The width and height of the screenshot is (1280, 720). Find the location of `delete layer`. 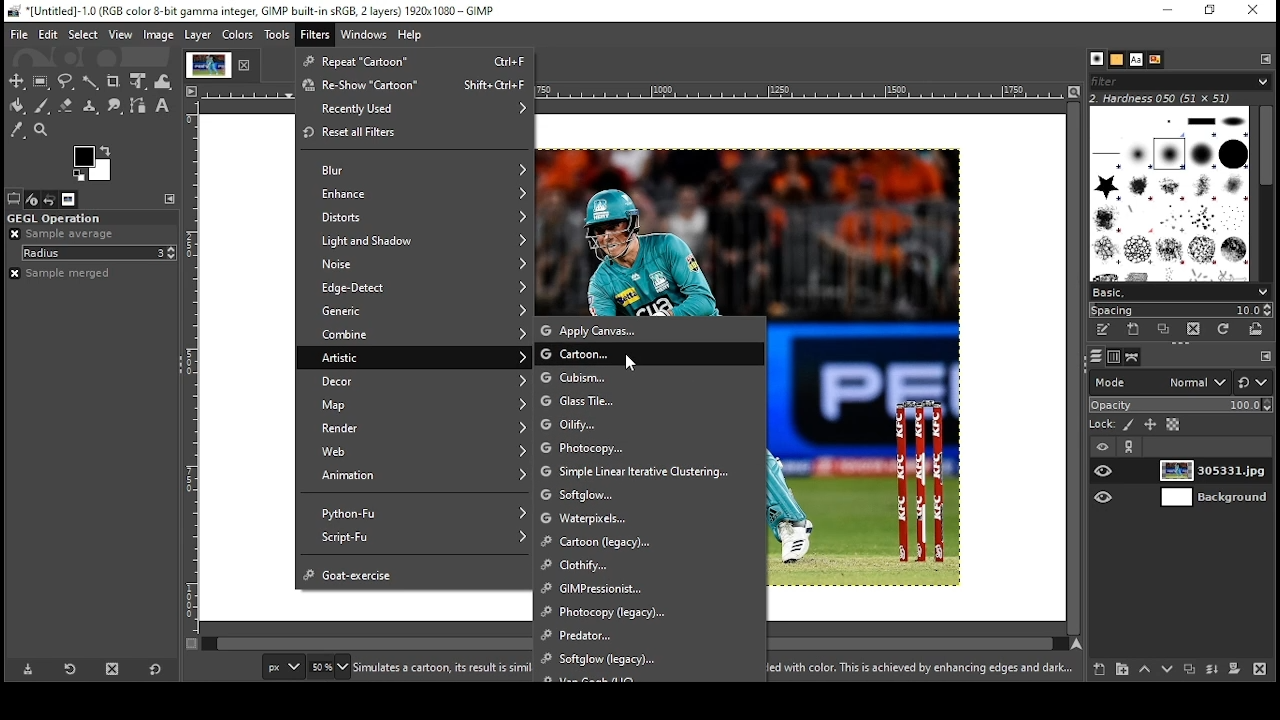

delete layer is located at coordinates (1262, 671).